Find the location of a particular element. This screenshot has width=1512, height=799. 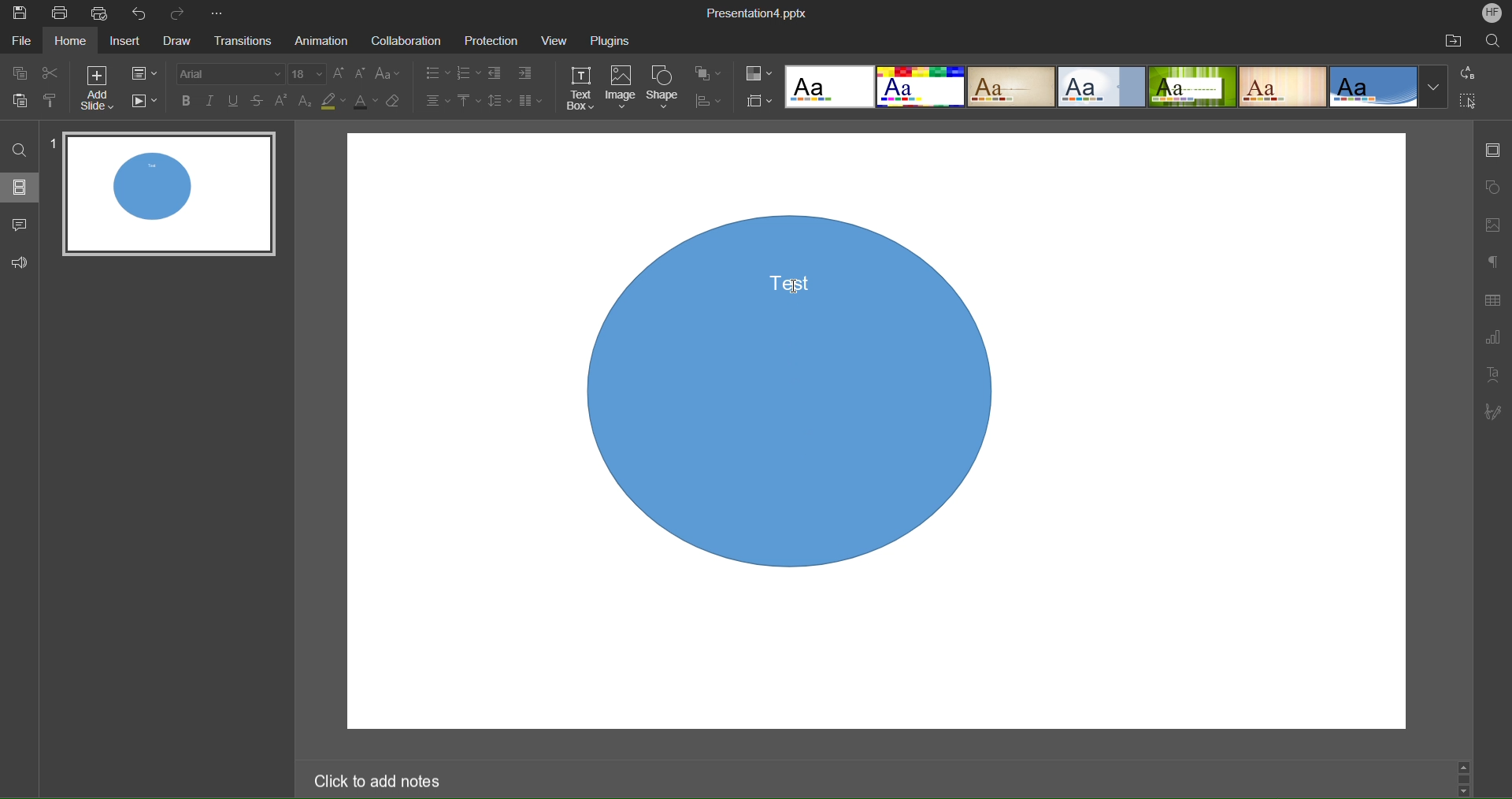

Copy Style is located at coordinates (50, 103).